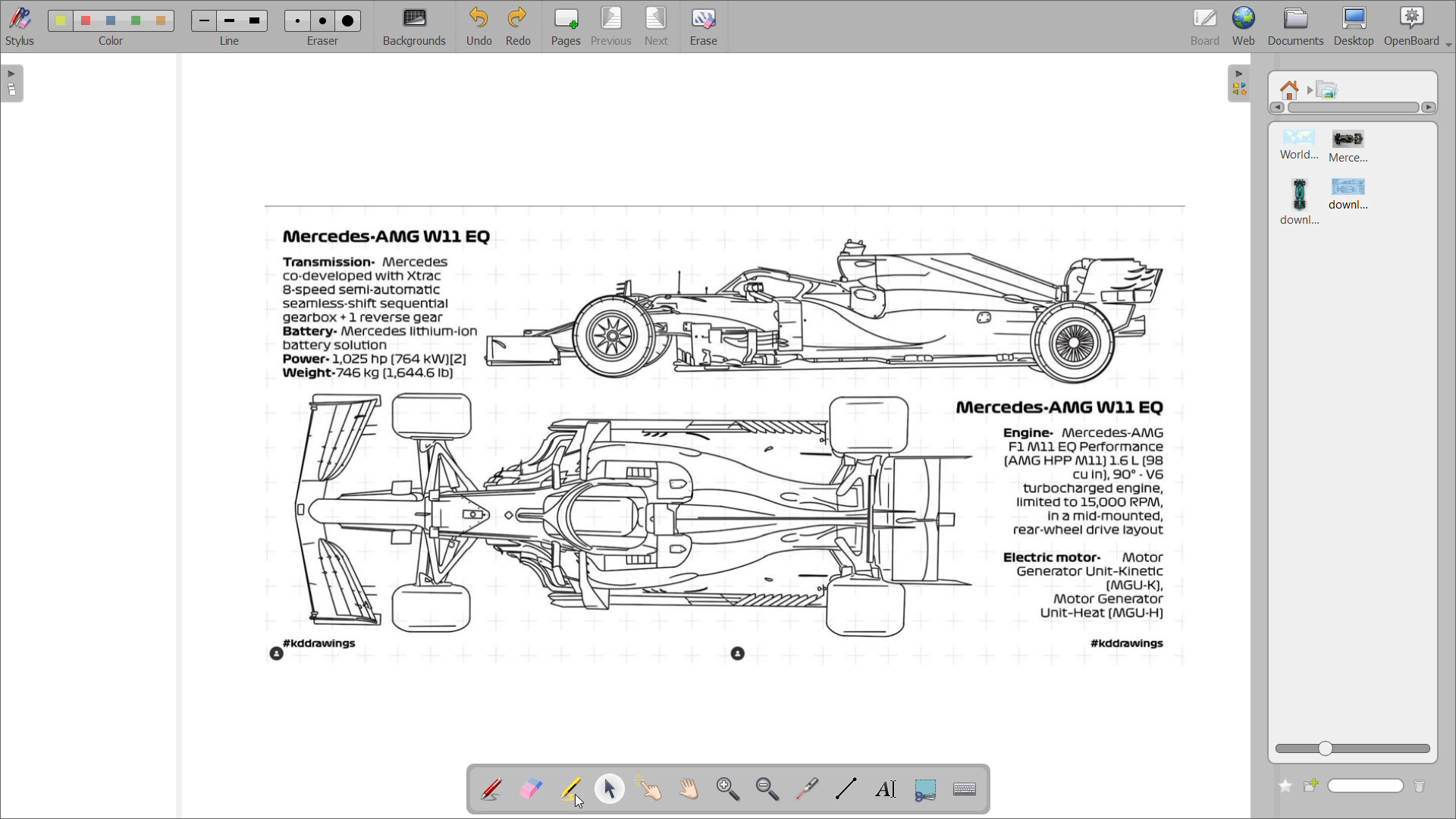  What do you see at coordinates (136, 22) in the screenshot?
I see `color 4` at bounding box center [136, 22].